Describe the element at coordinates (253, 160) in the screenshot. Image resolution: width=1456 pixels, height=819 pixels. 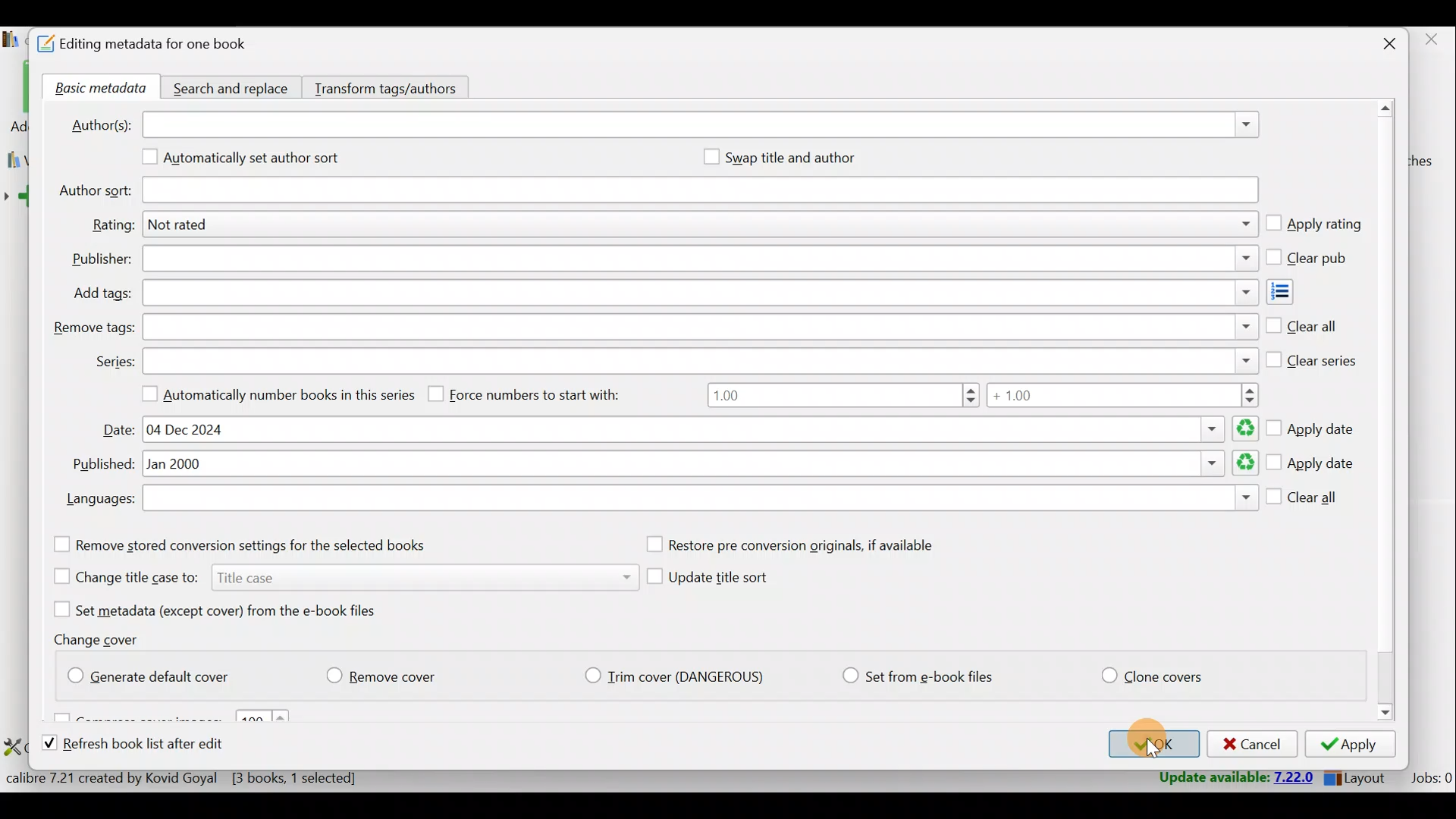
I see `Automatically set author sort` at that location.